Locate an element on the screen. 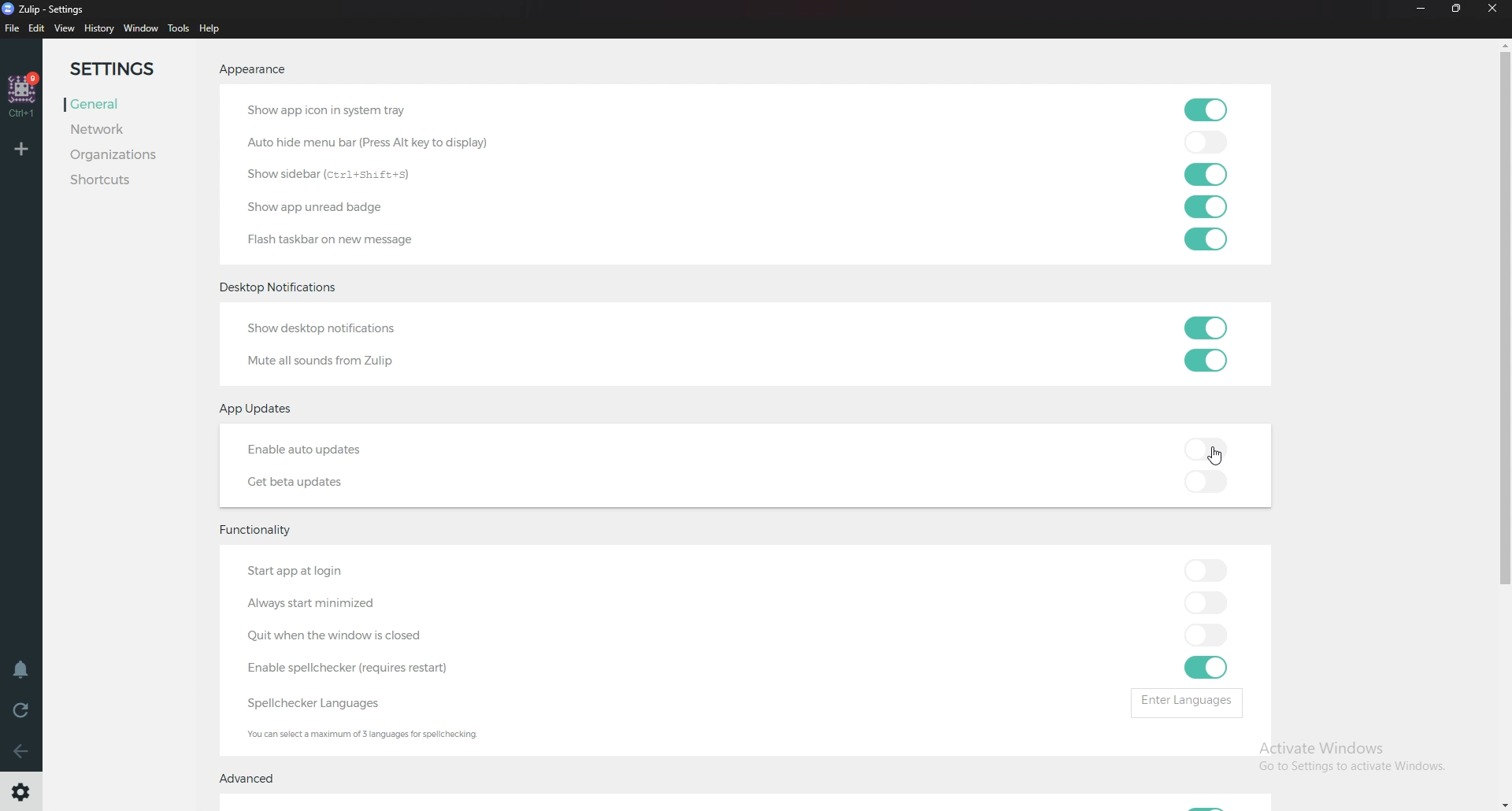 The width and height of the screenshot is (1512, 811). Enter languages is located at coordinates (1184, 702).